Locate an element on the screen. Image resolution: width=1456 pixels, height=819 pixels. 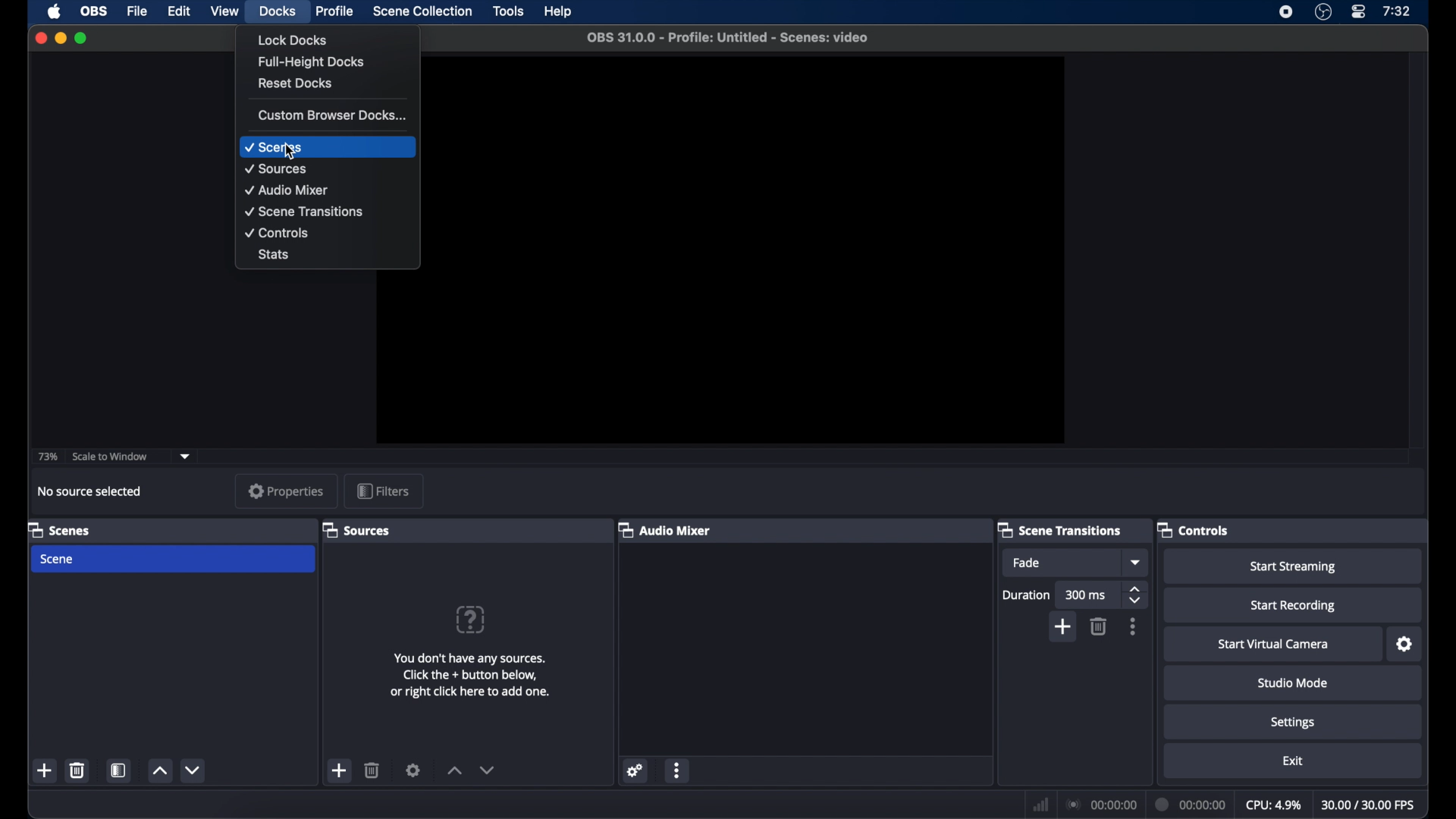
start virtual camera is located at coordinates (1272, 644).